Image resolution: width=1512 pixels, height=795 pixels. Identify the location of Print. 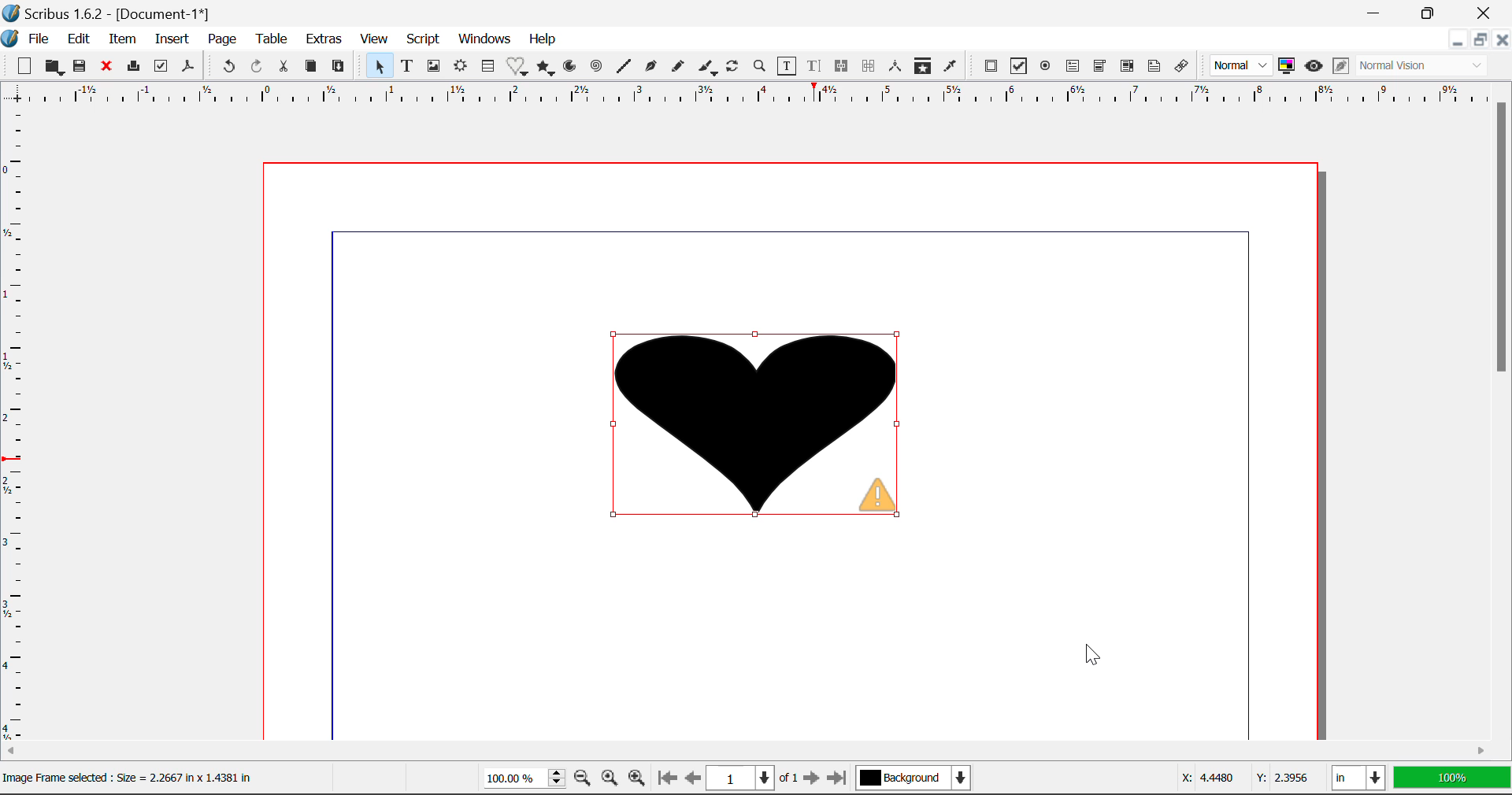
(136, 67).